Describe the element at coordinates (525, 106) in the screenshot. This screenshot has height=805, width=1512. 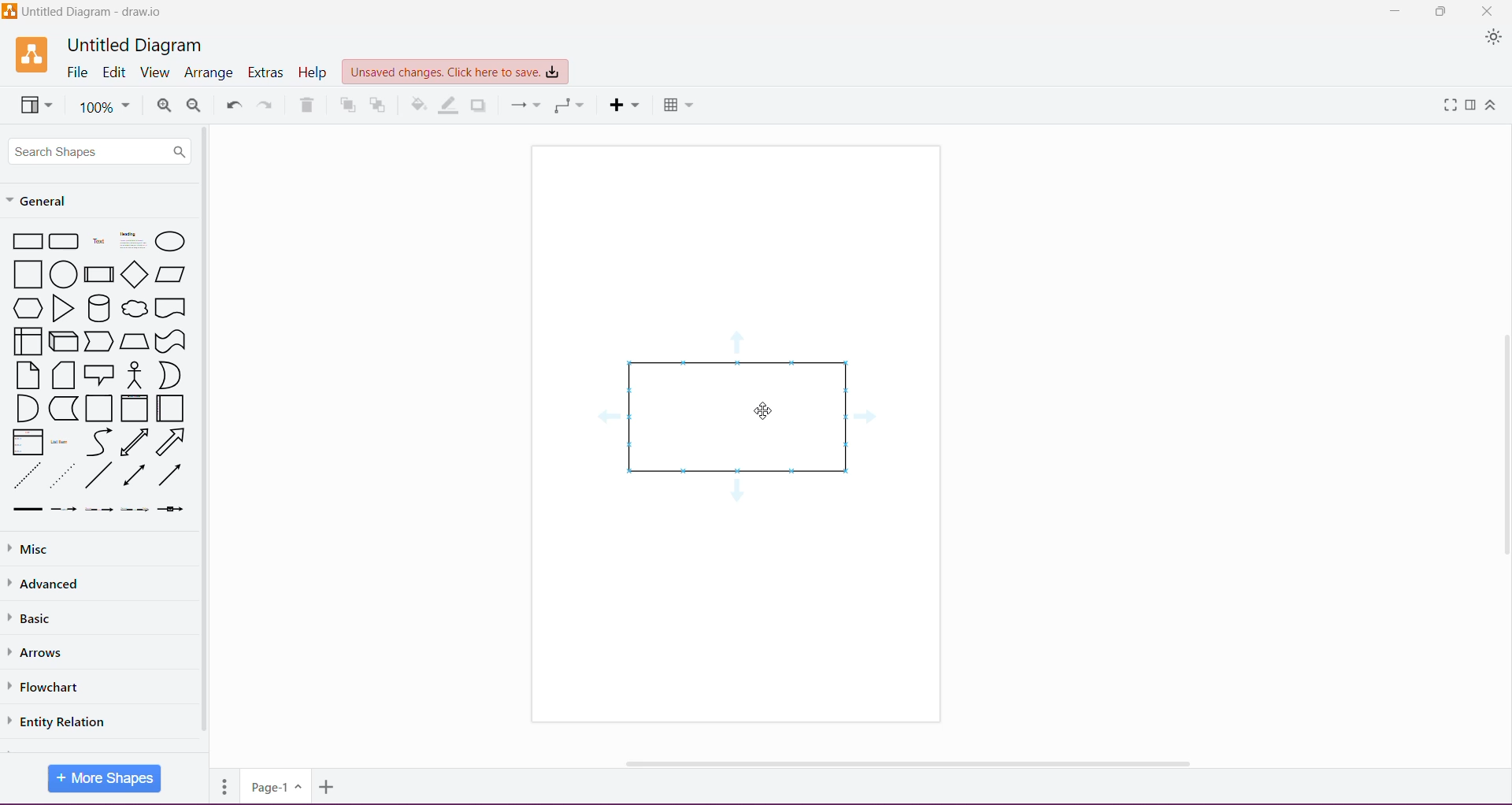
I see `Connection` at that location.